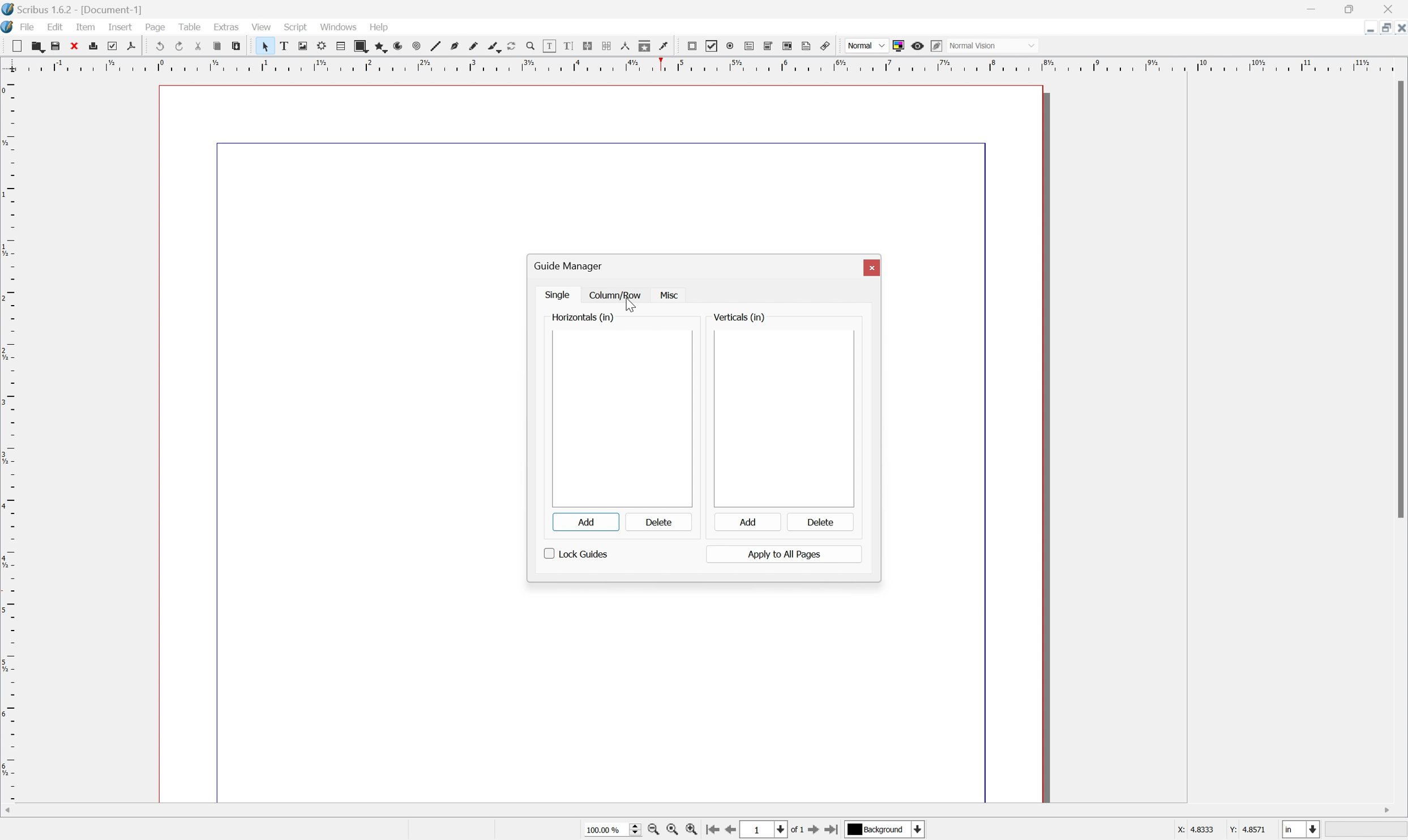 The width and height of the screenshot is (1408, 840). Describe the element at coordinates (628, 305) in the screenshot. I see `cursor` at that location.